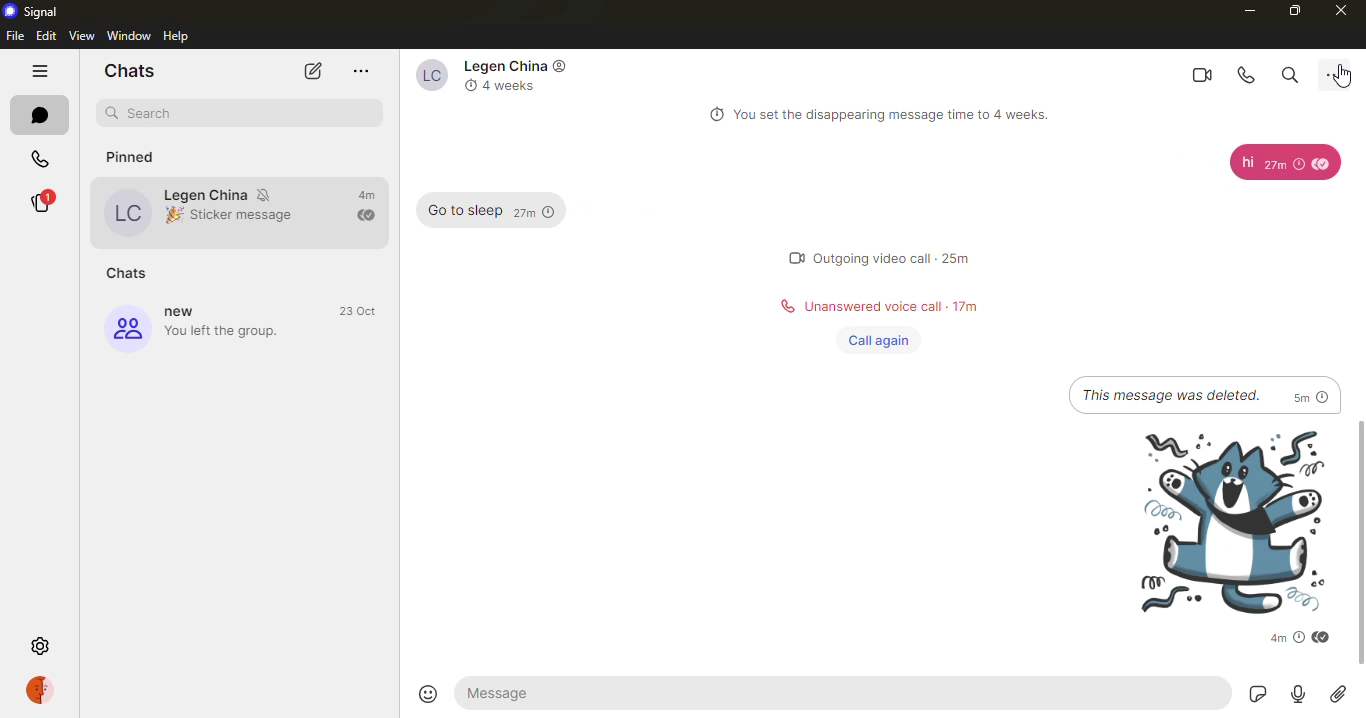 This screenshot has width=1366, height=718. Describe the element at coordinates (783, 306) in the screenshot. I see `Call logo` at that location.